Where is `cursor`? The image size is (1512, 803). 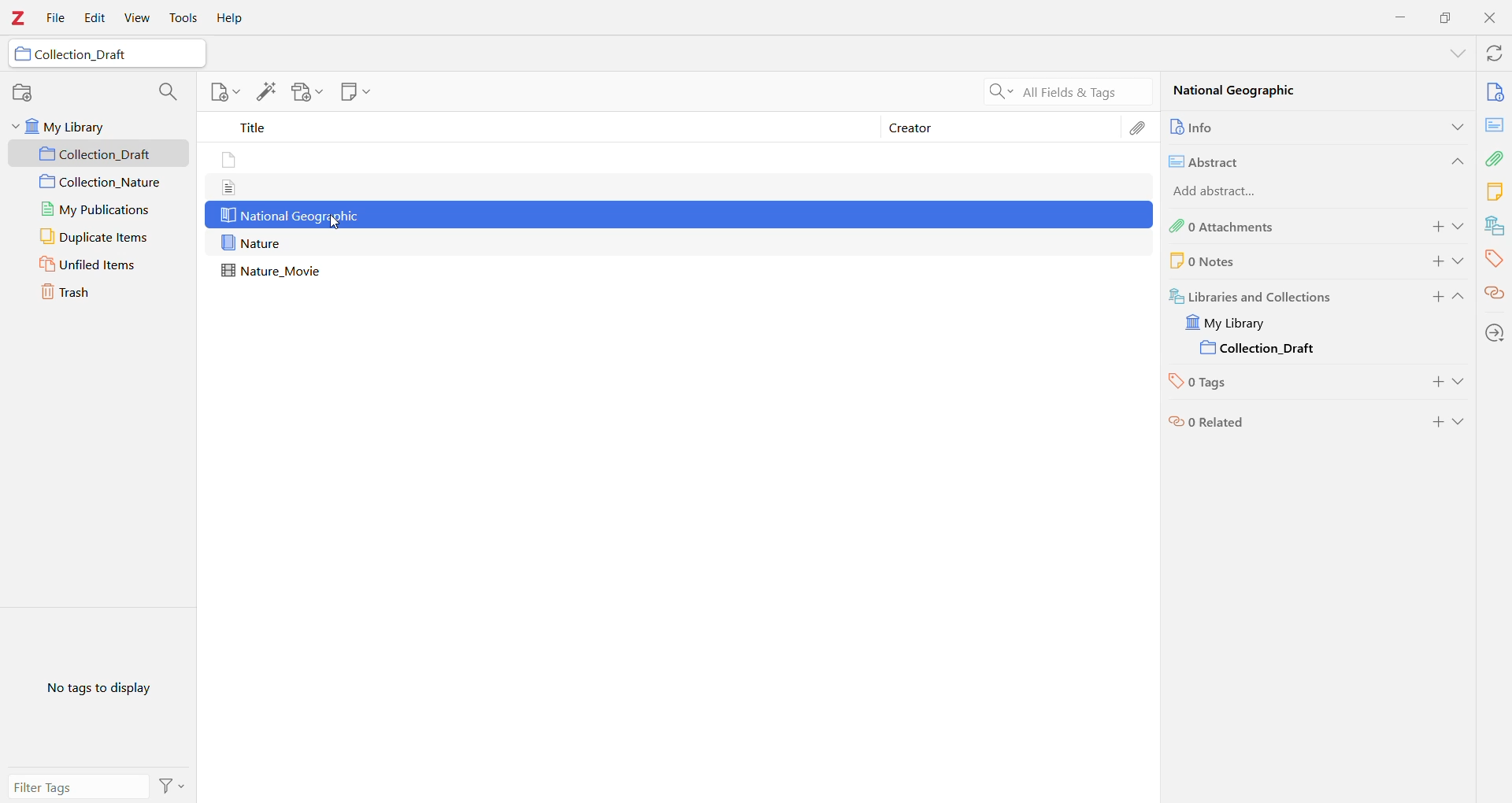
cursor is located at coordinates (337, 224).